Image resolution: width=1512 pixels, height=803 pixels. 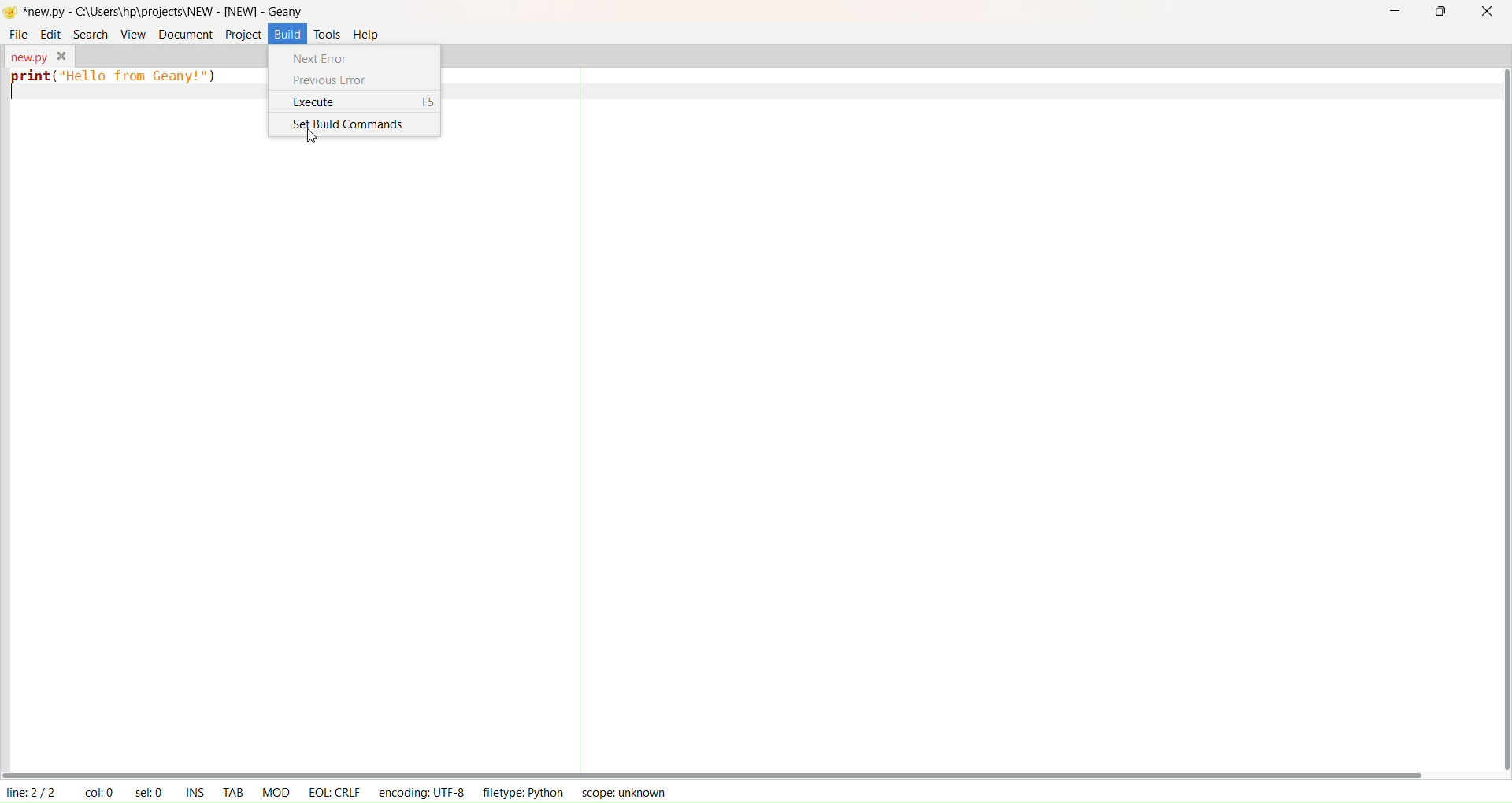 I want to click on set: 0, so click(x=151, y=792).